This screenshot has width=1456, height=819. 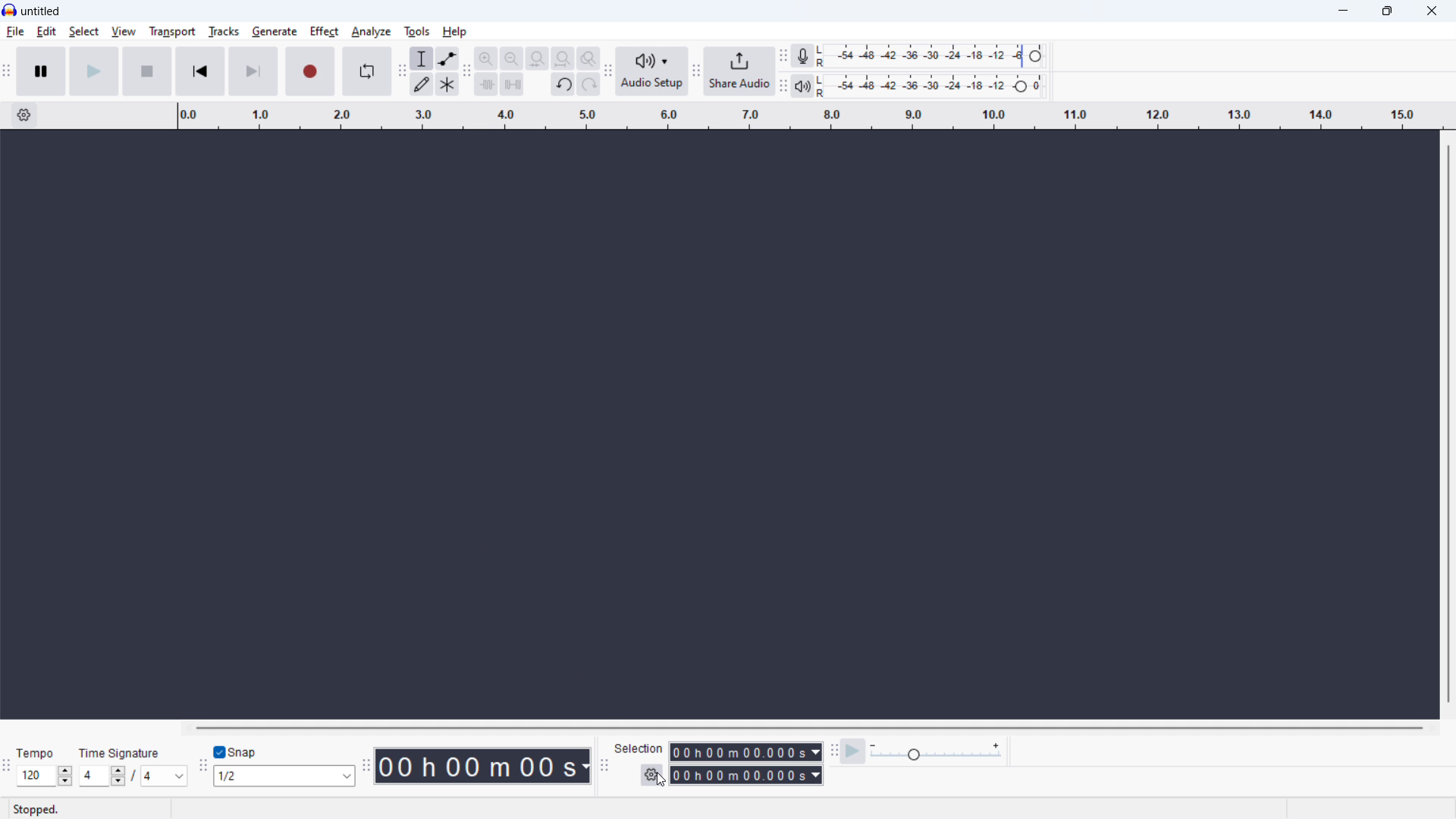 I want to click on draw tool, so click(x=422, y=84).